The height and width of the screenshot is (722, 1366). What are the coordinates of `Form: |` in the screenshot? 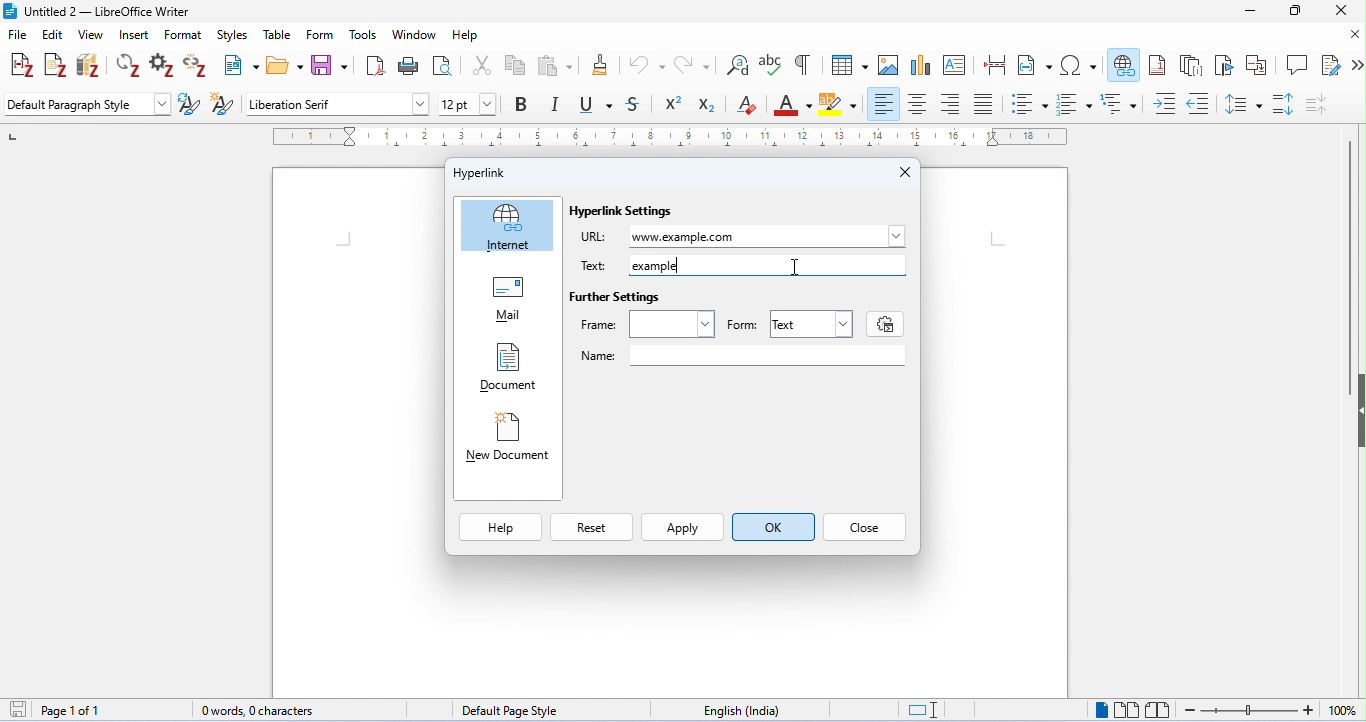 It's located at (742, 322).